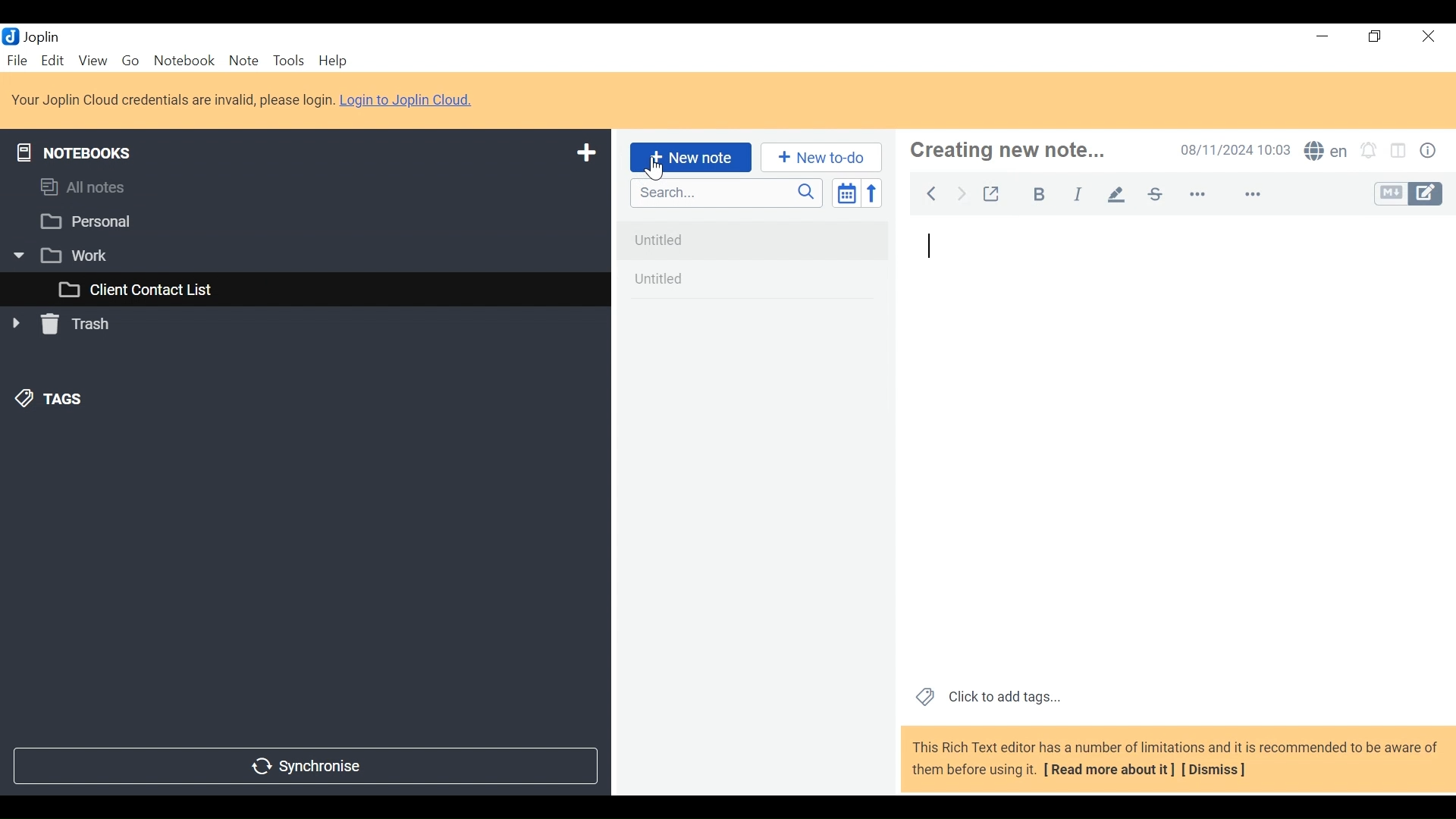 Image resolution: width=1456 pixels, height=819 pixels. What do you see at coordinates (296, 255) in the screenshot?
I see `Work` at bounding box center [296, 255].